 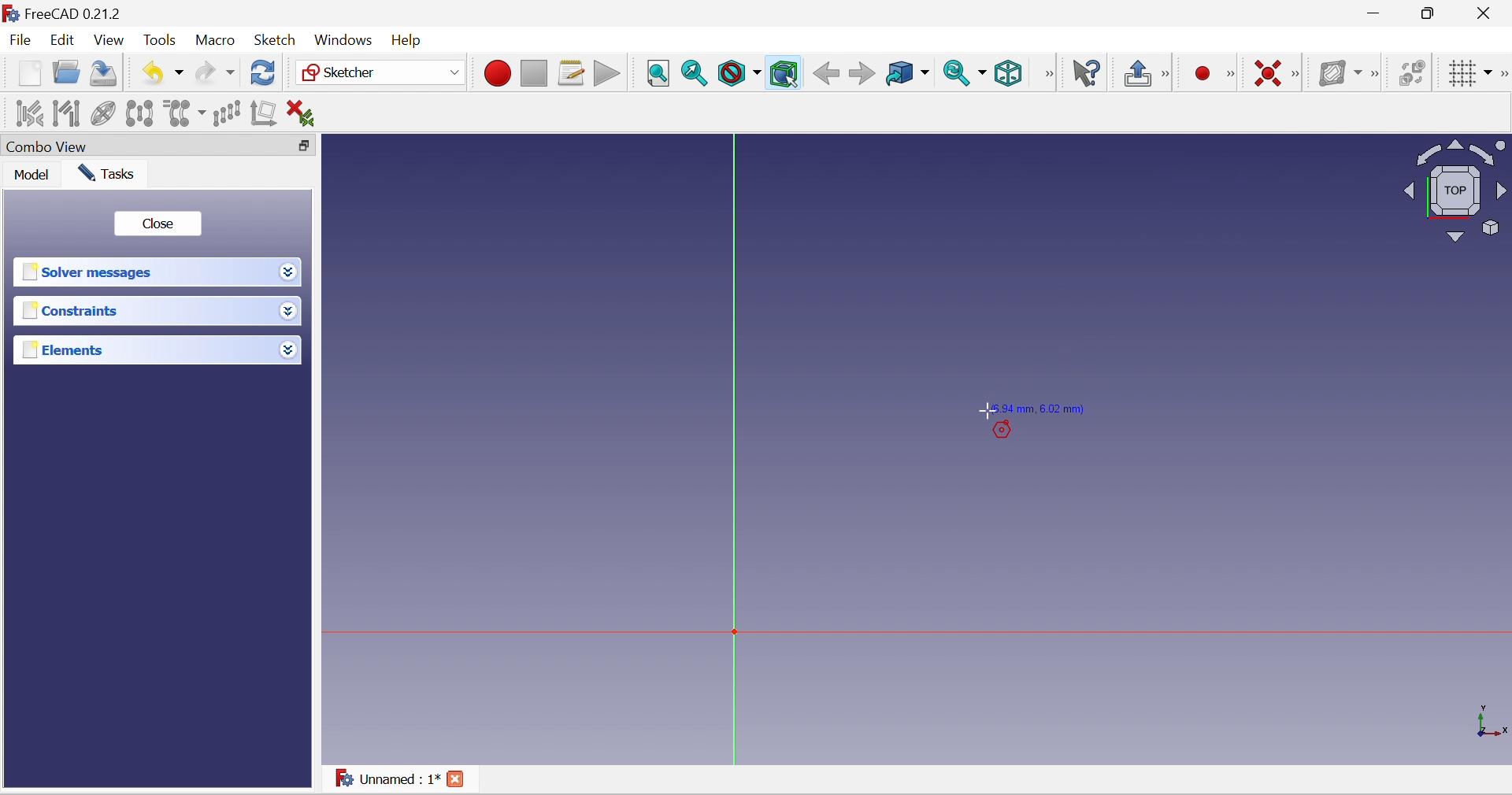 What do you see at coordinates (106, 174) in the screenshot?
I see `Tasks` at bounding box center [106, 174].